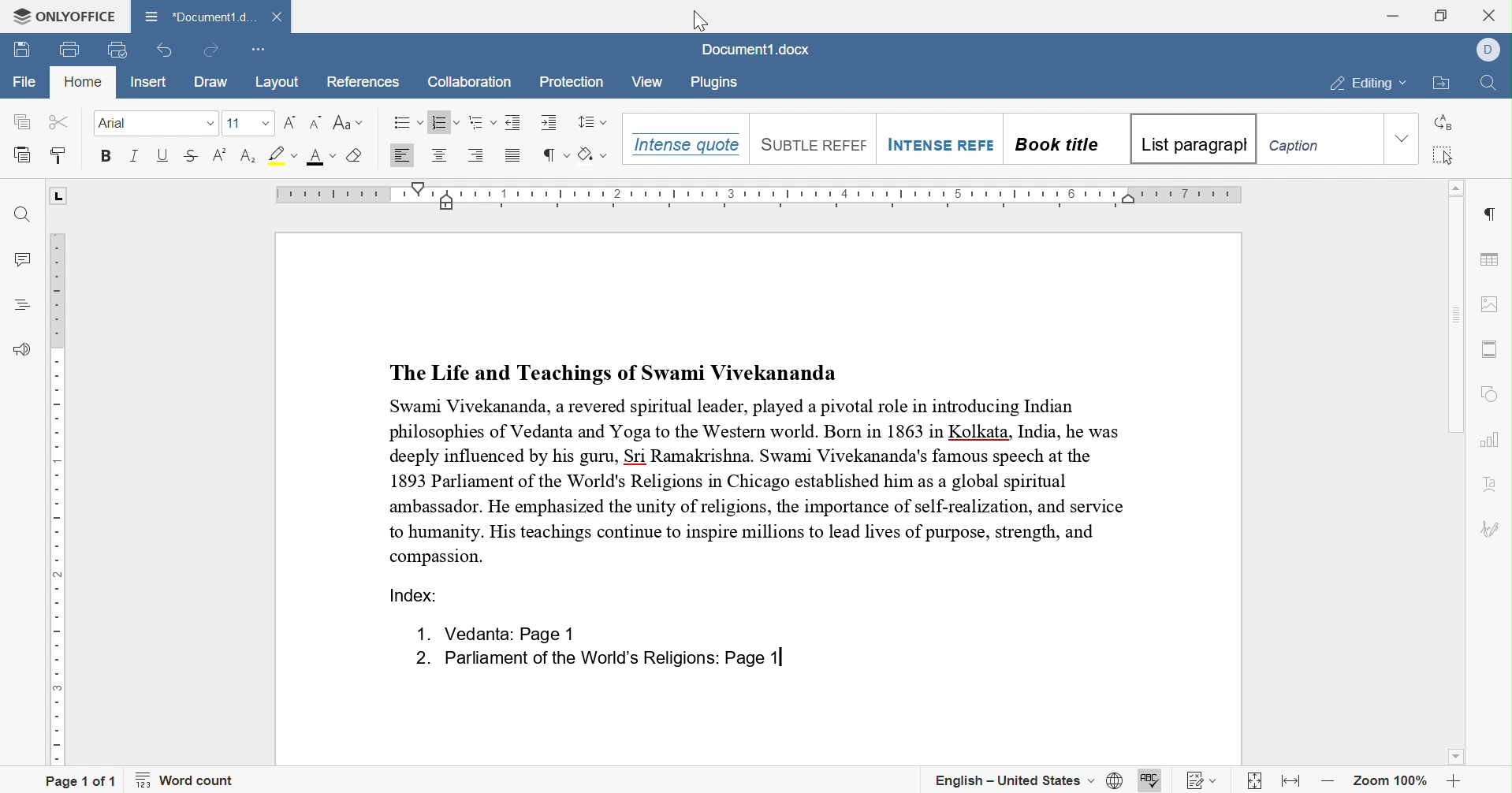 The height and width of the screenshot is (793, 1512). What do you see at coordinates (1491, 47) in the screenshot?
I see `dell` at bounding box center [1491, 47].